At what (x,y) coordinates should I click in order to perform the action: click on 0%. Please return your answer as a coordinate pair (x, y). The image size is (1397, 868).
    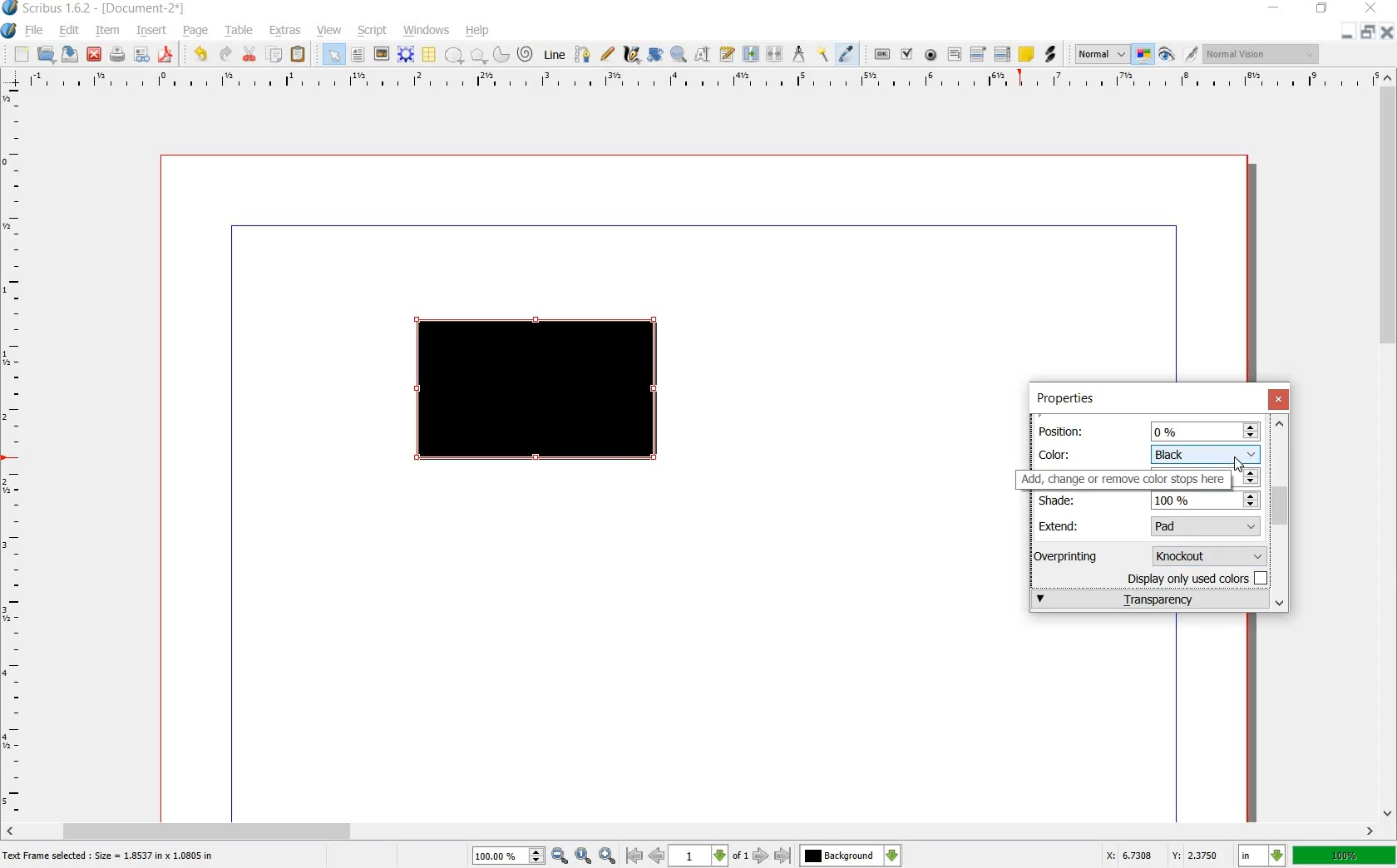
    Looking at the image, I should click on (1206, 431).